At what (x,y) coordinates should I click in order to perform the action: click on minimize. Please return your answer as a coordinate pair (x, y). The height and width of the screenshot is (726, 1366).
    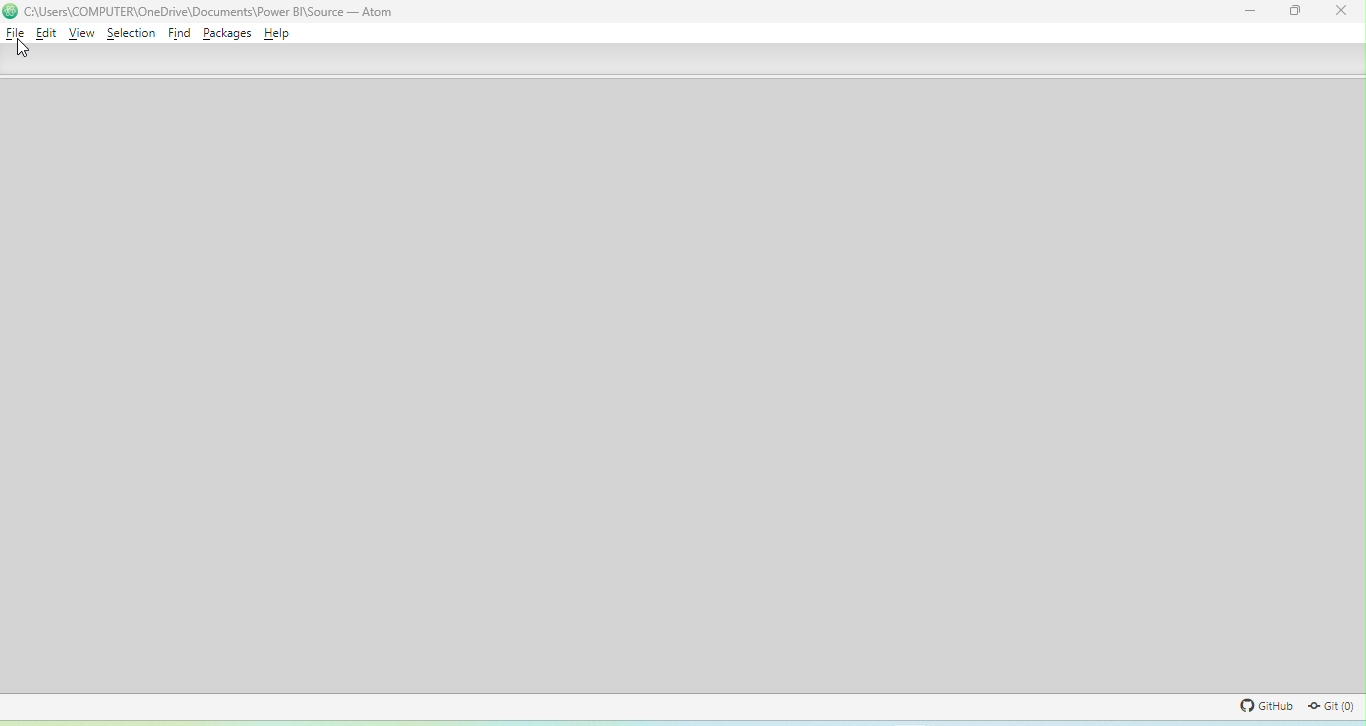
    Looking at the image, I should click on (1251, 11).